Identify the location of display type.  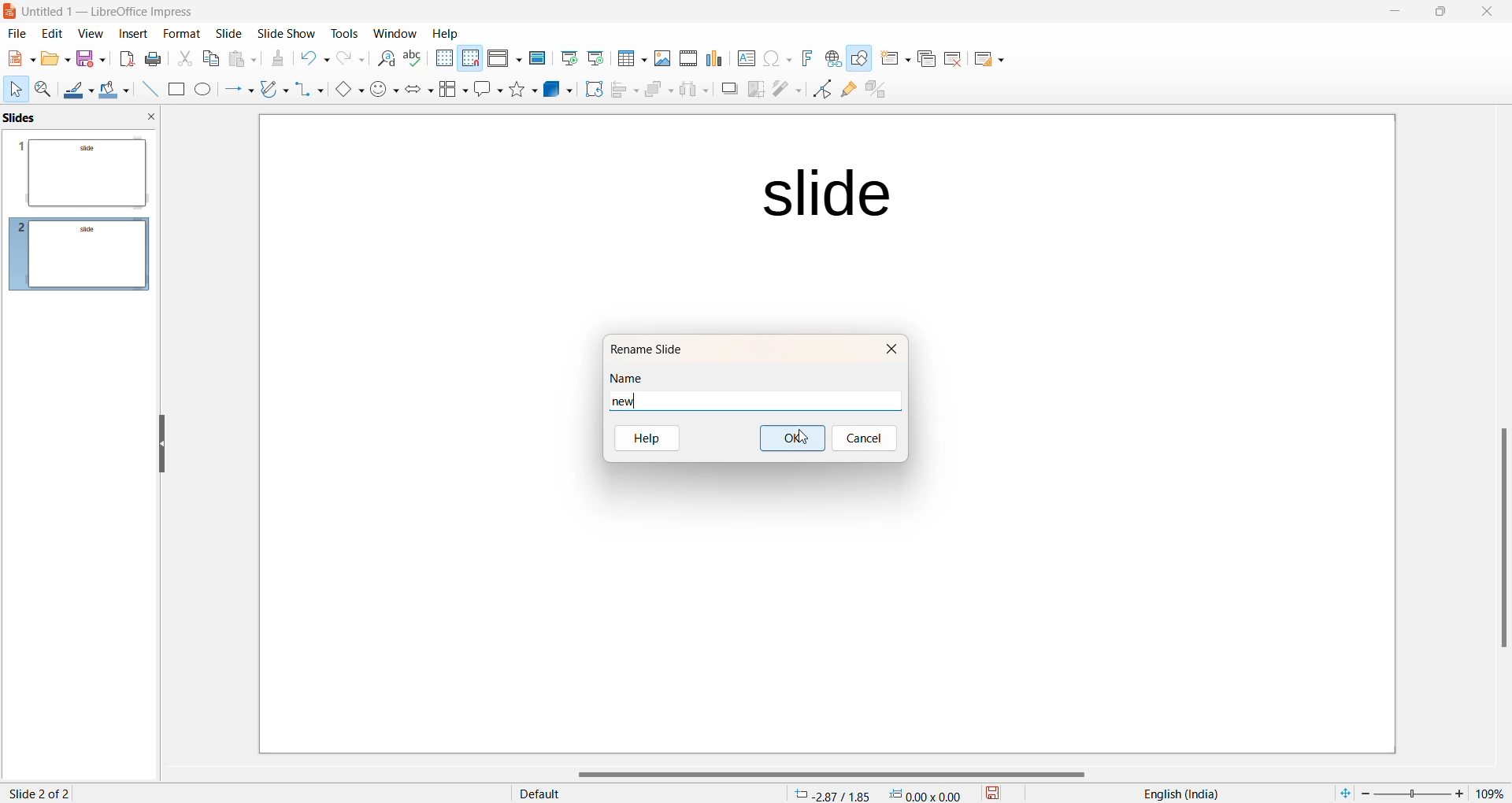
(626, 794).